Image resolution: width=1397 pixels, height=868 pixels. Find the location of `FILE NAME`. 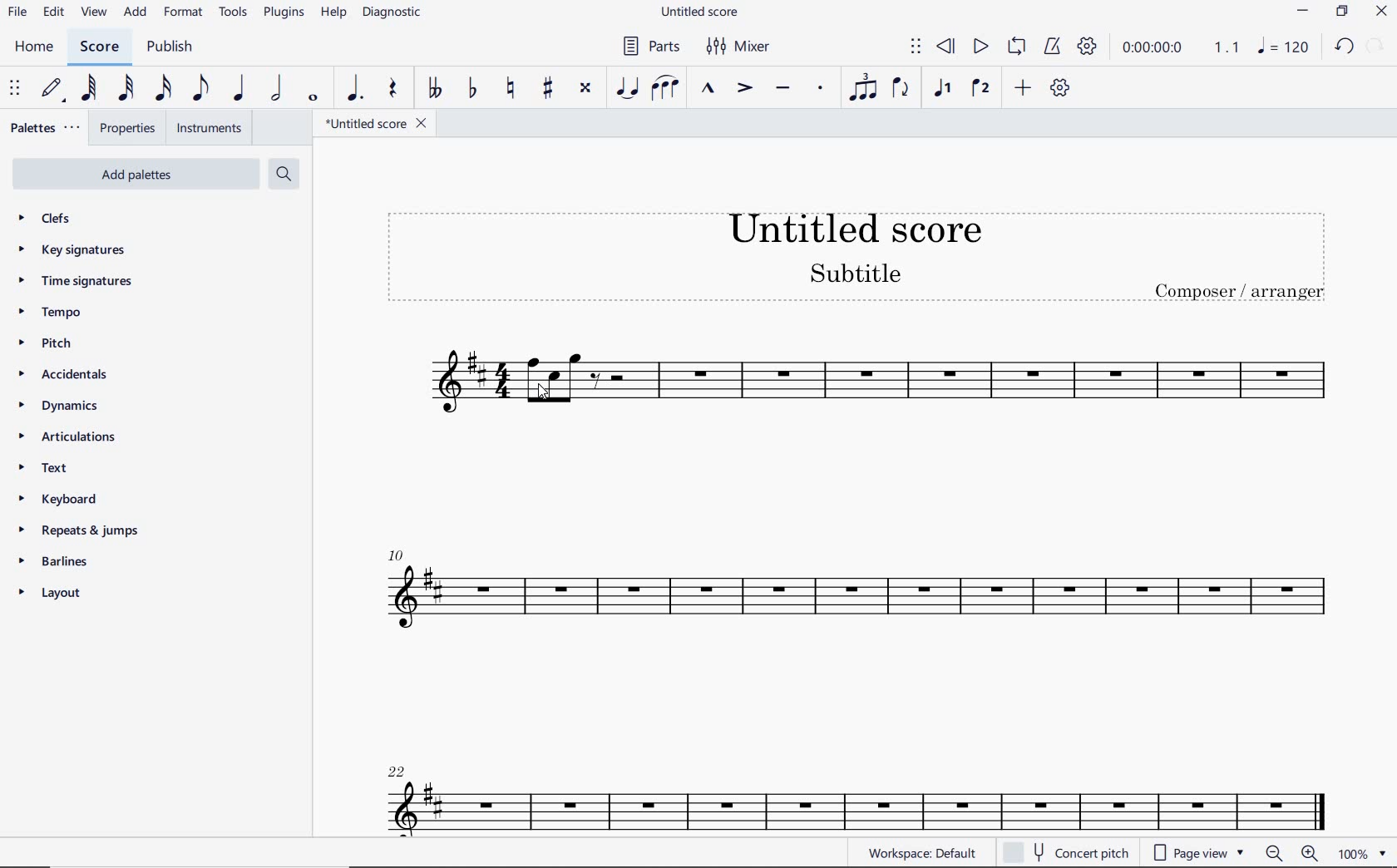

FILE NAME is located at coordinates (703, 12).